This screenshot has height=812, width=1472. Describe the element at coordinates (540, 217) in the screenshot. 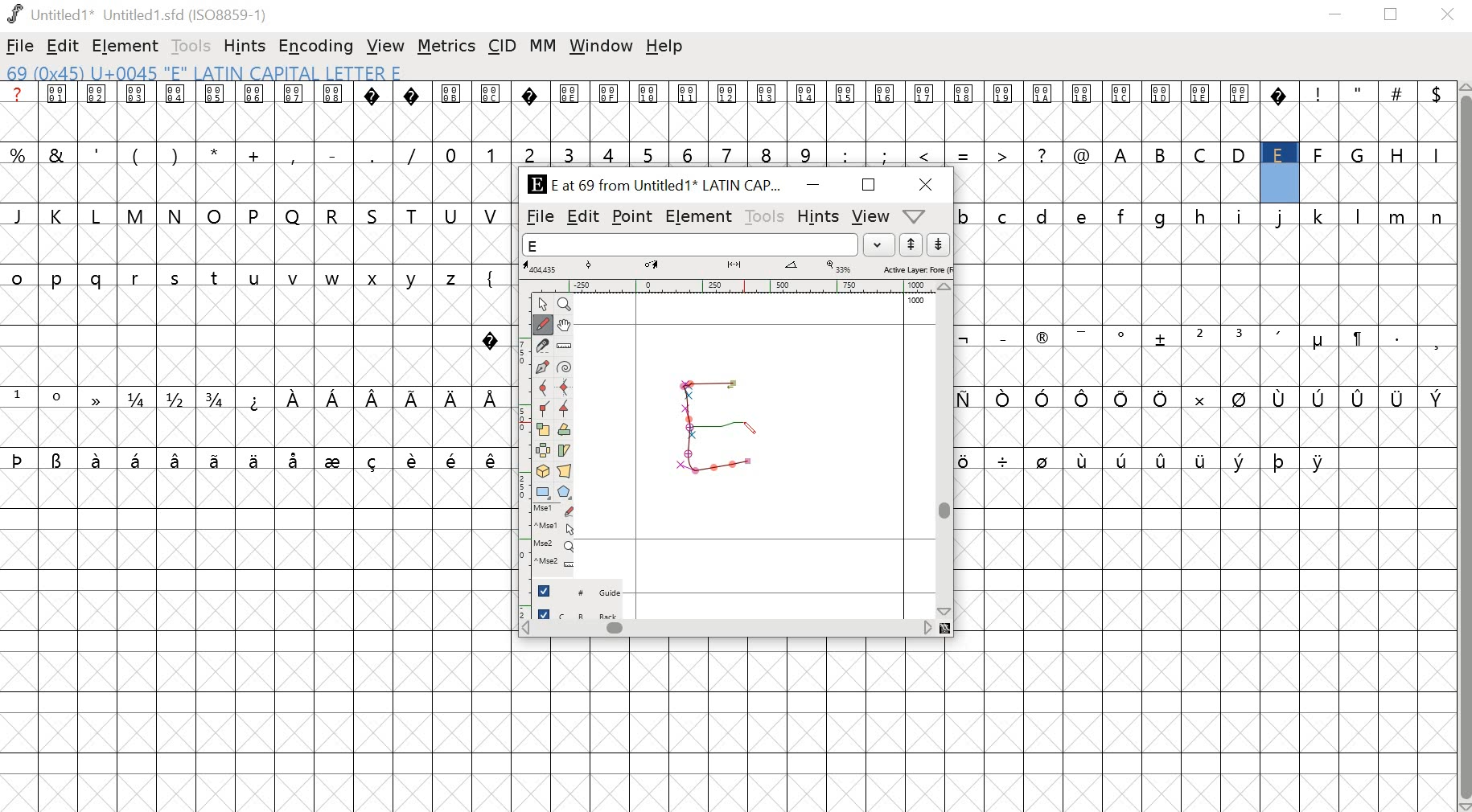

I see `file` at that location.